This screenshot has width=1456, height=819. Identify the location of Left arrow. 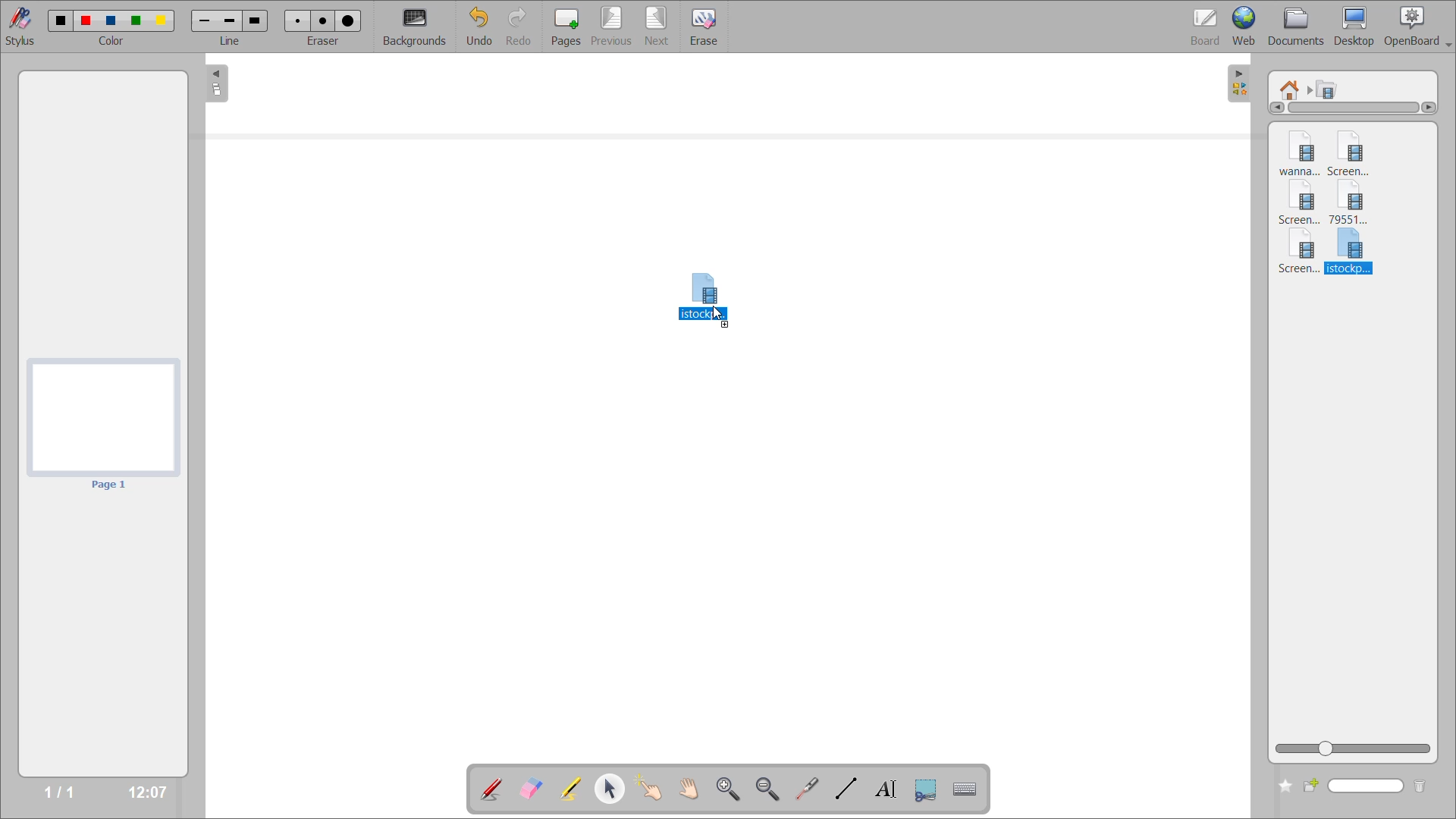
(1271, 108).